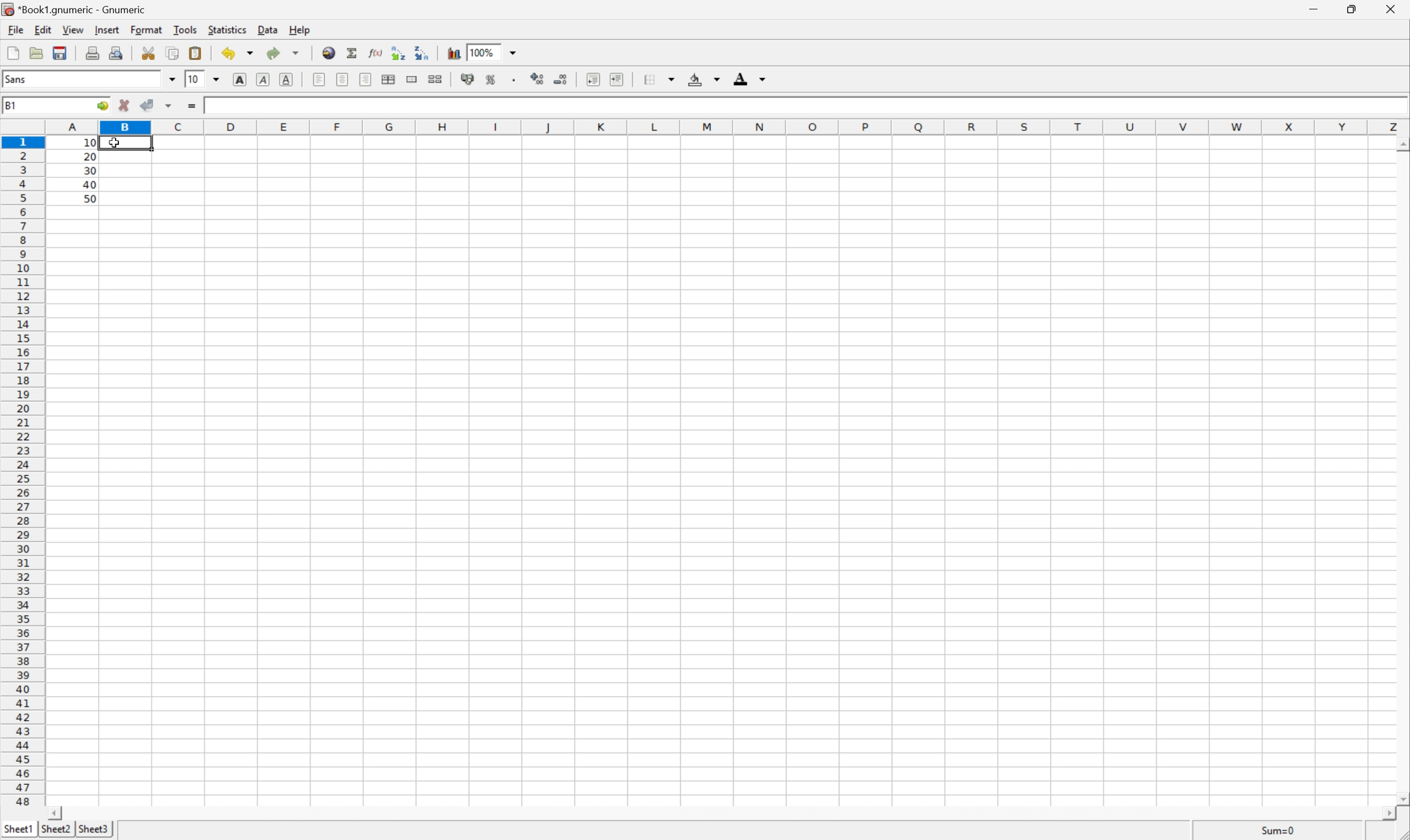  What do you see at coordinates (195, 53) in the screenshot?
I see `Paste clipboard` at bounding box center [195, 53].